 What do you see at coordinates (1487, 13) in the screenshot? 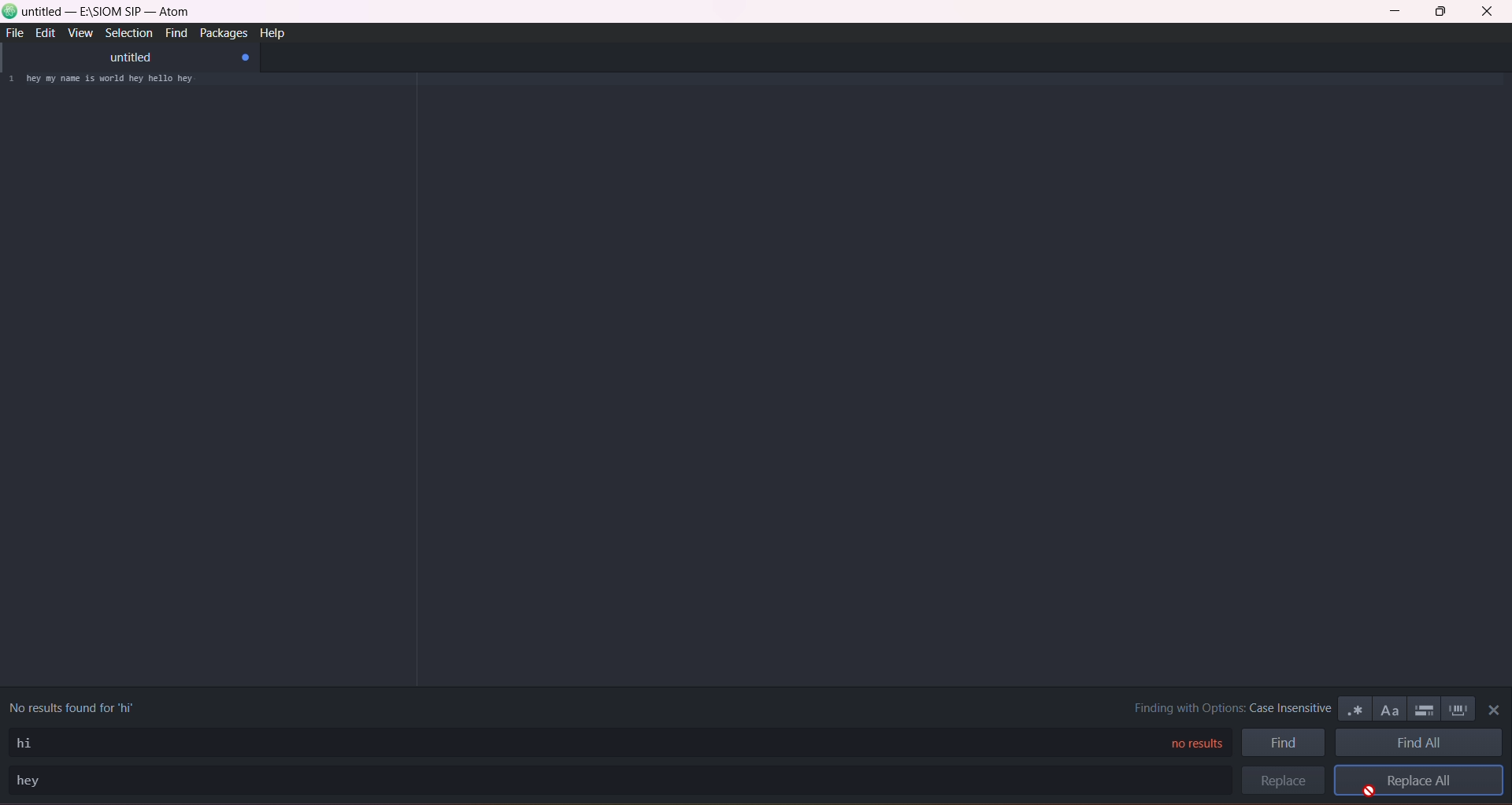
I see `close` at bounding box center [1487, 13].